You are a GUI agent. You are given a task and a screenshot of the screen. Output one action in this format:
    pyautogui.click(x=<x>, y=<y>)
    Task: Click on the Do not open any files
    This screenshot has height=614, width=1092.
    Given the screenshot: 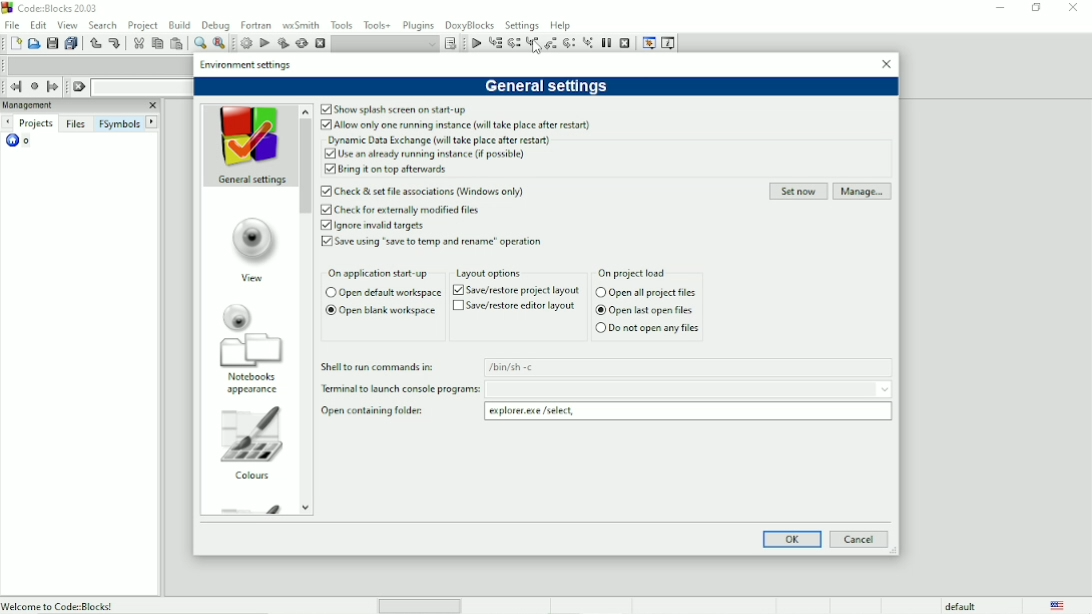 What is the action you would take?
    pyautogui.click(x=645, y=328)
    